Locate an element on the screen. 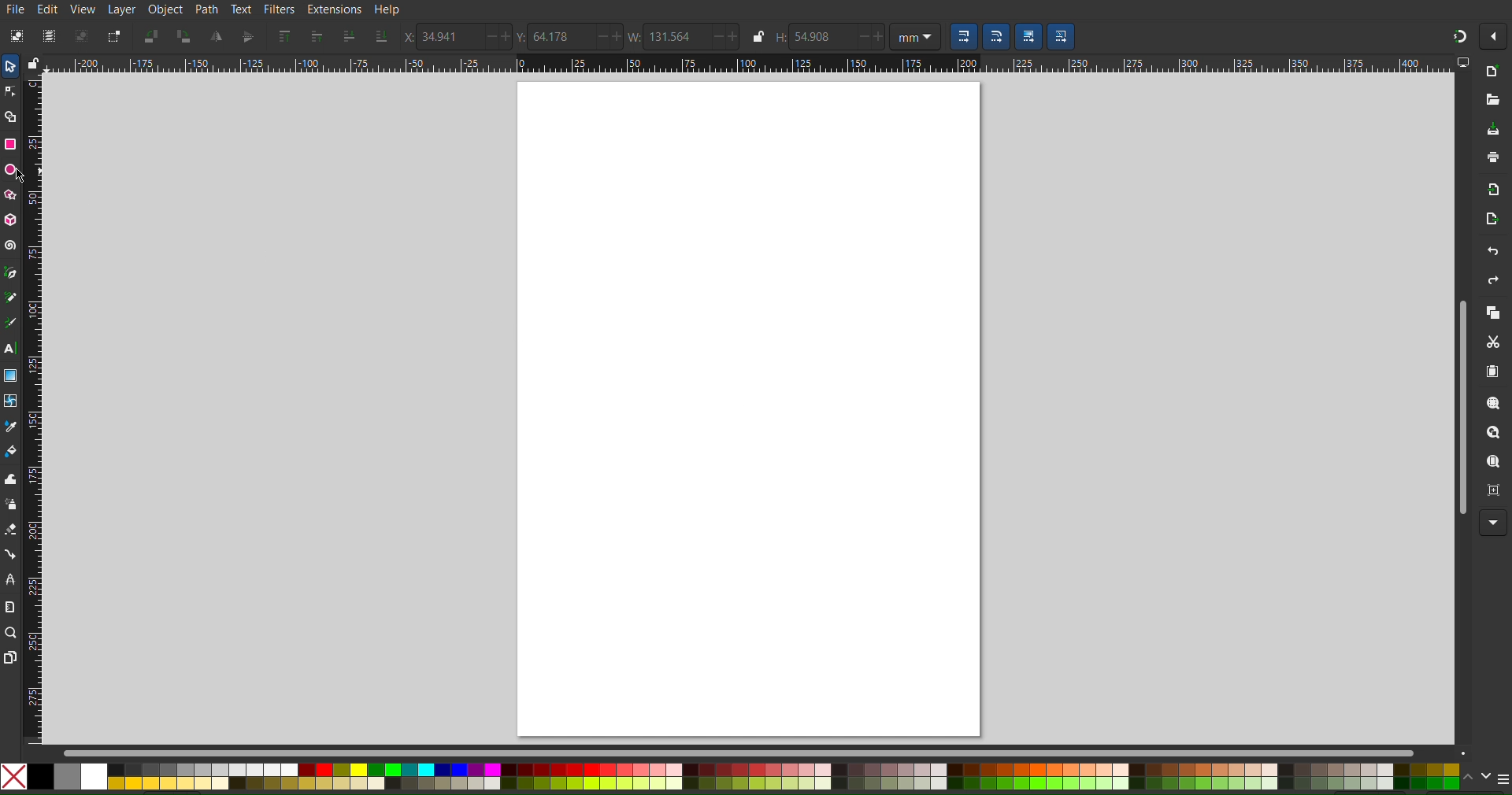 This screenshot has height=795, width=1512. Selection Setting is located at coordinates (961, 36).